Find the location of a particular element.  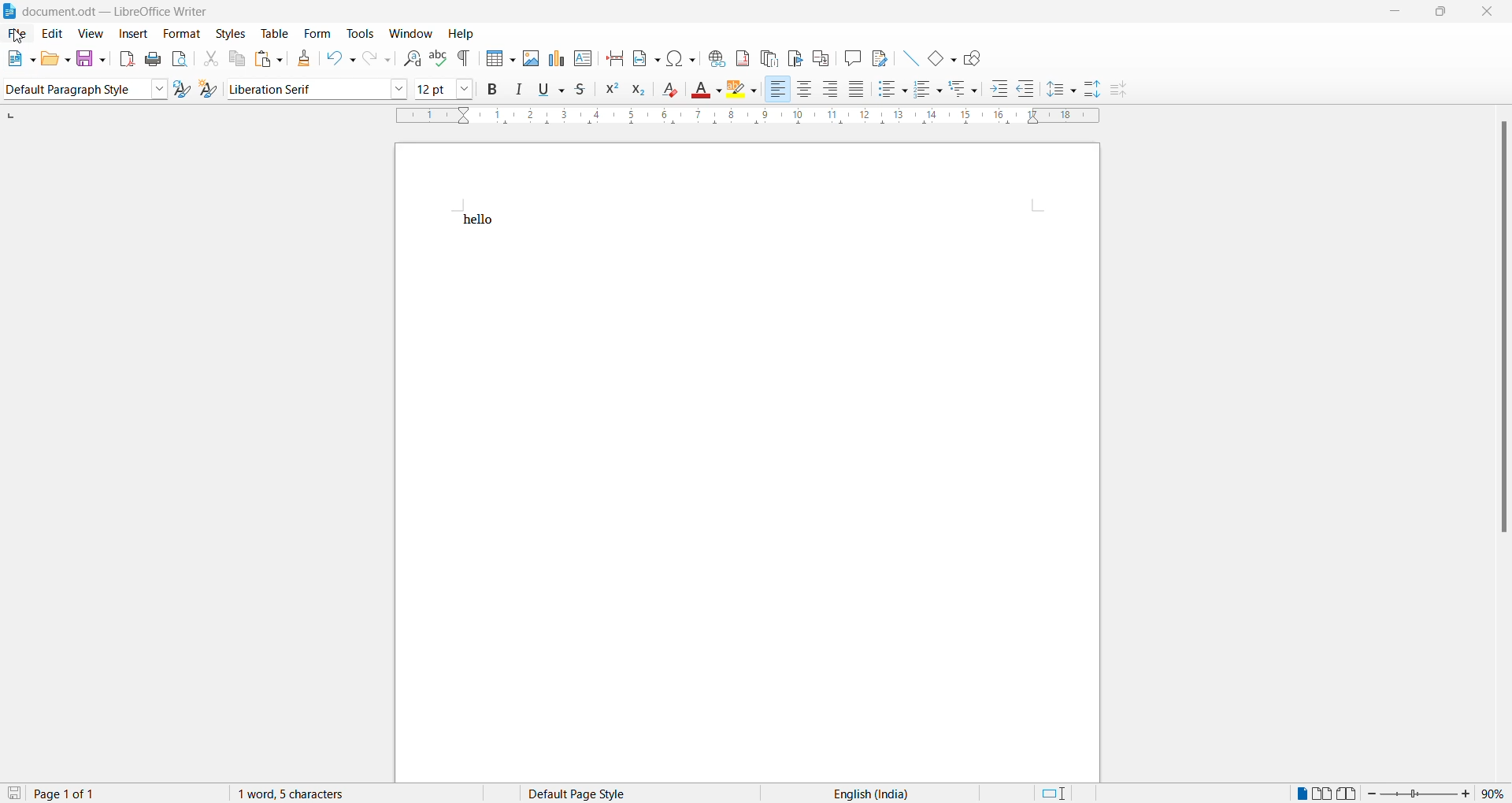

Open options is located at coordinates (56, 59).